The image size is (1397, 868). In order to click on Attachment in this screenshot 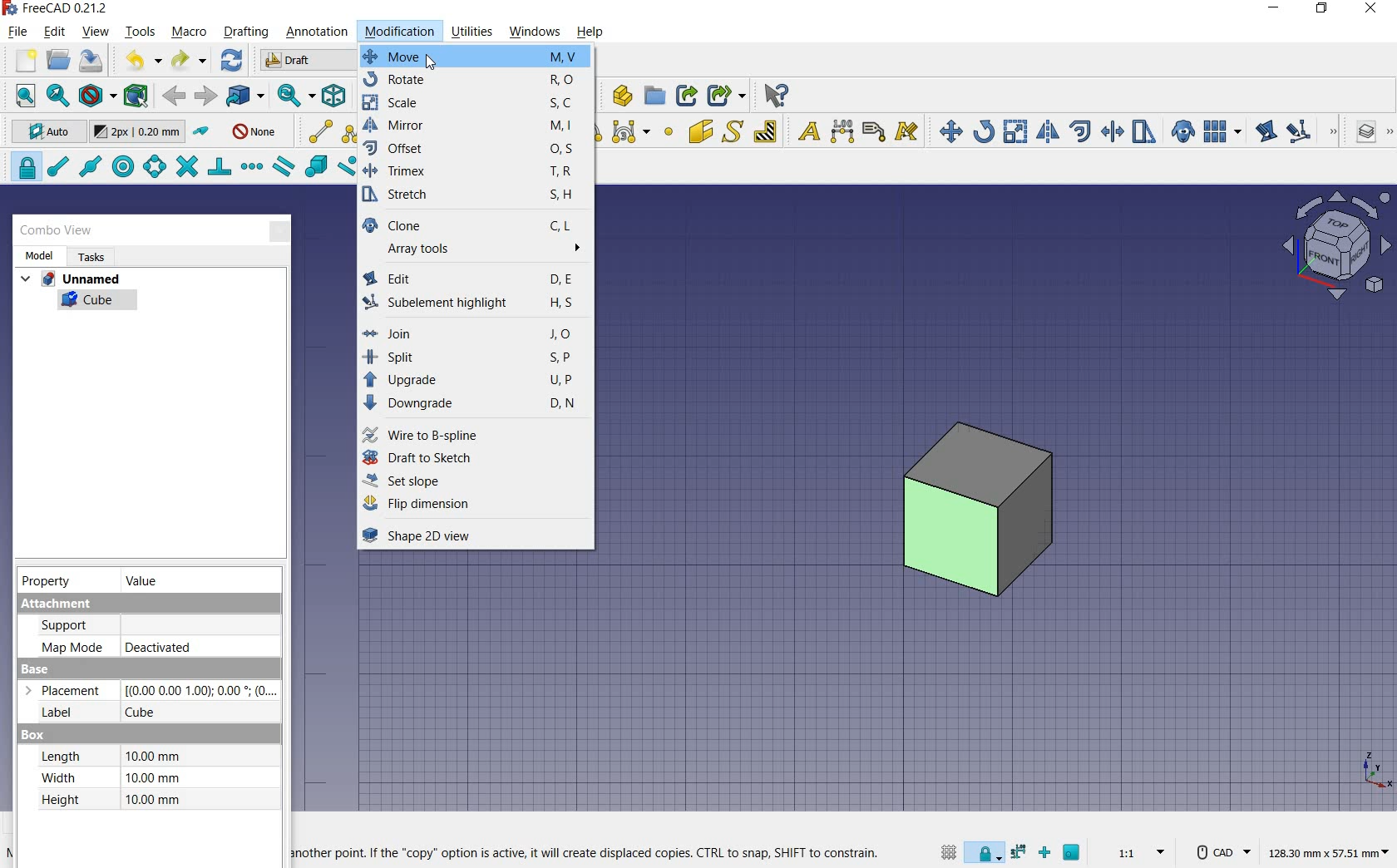, I will do `click(146, 604)`.